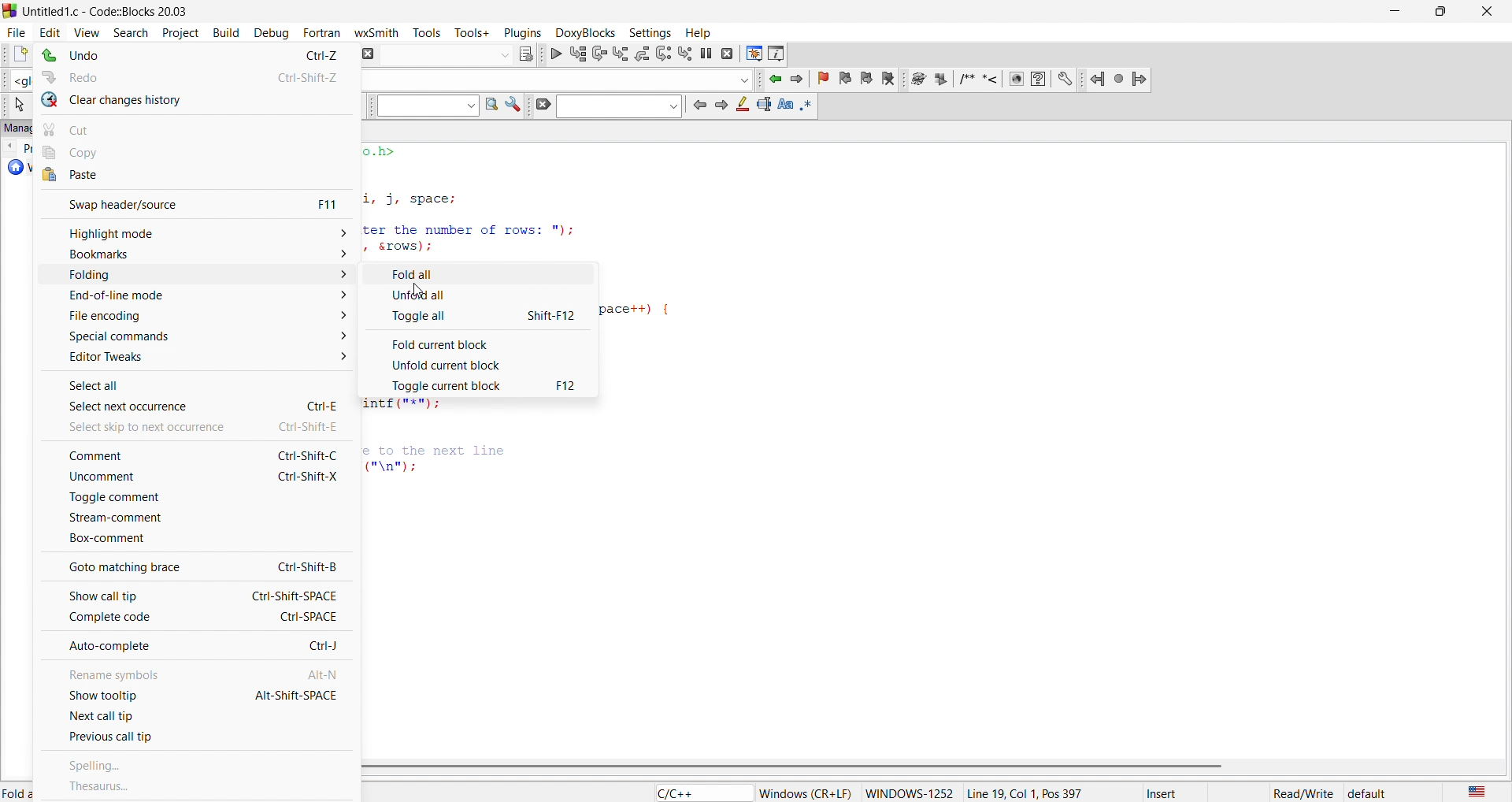  I want to click on inputbox, so click(618, 106).